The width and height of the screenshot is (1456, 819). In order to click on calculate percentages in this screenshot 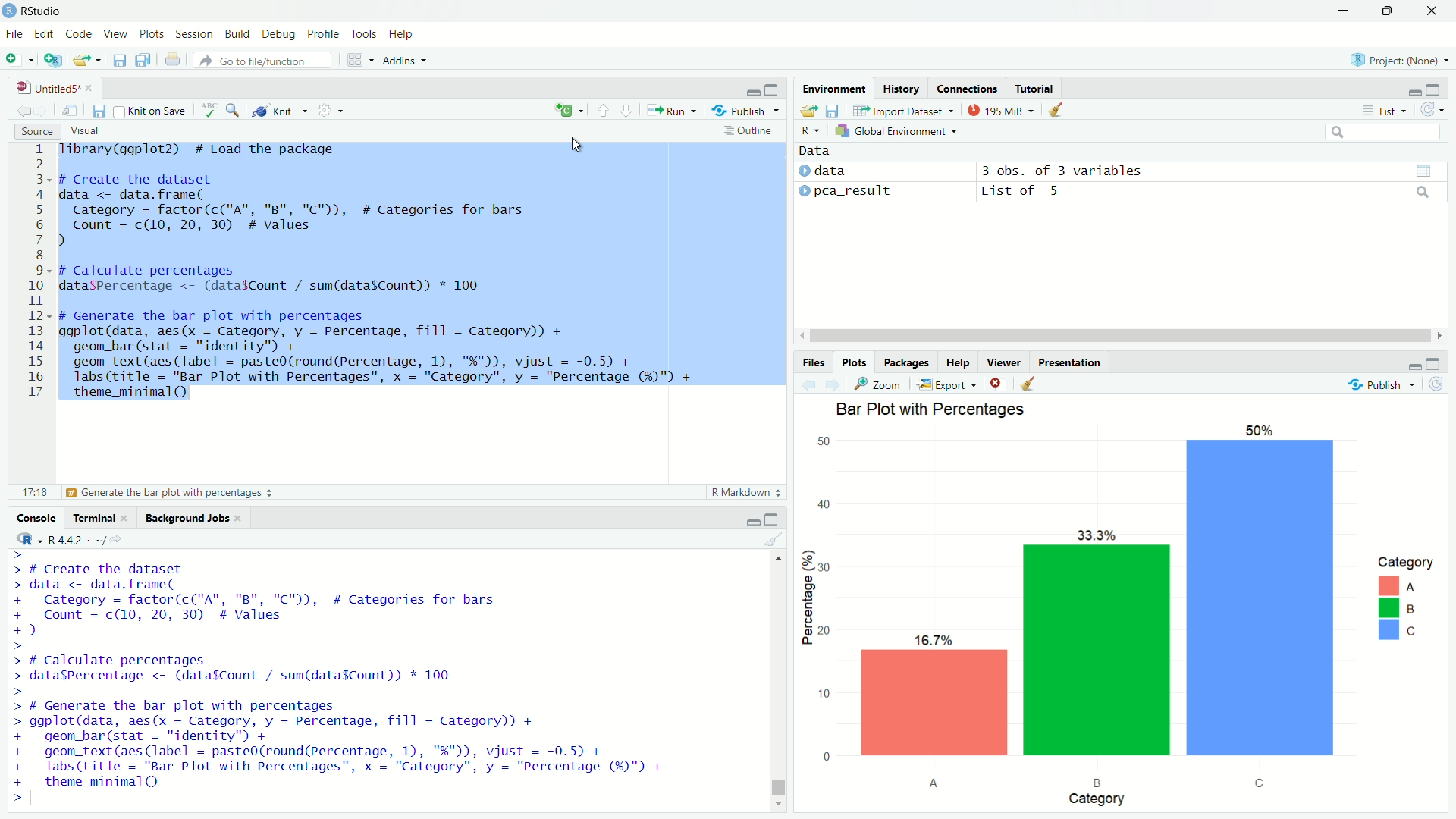, I will do `click(150, 493)`.